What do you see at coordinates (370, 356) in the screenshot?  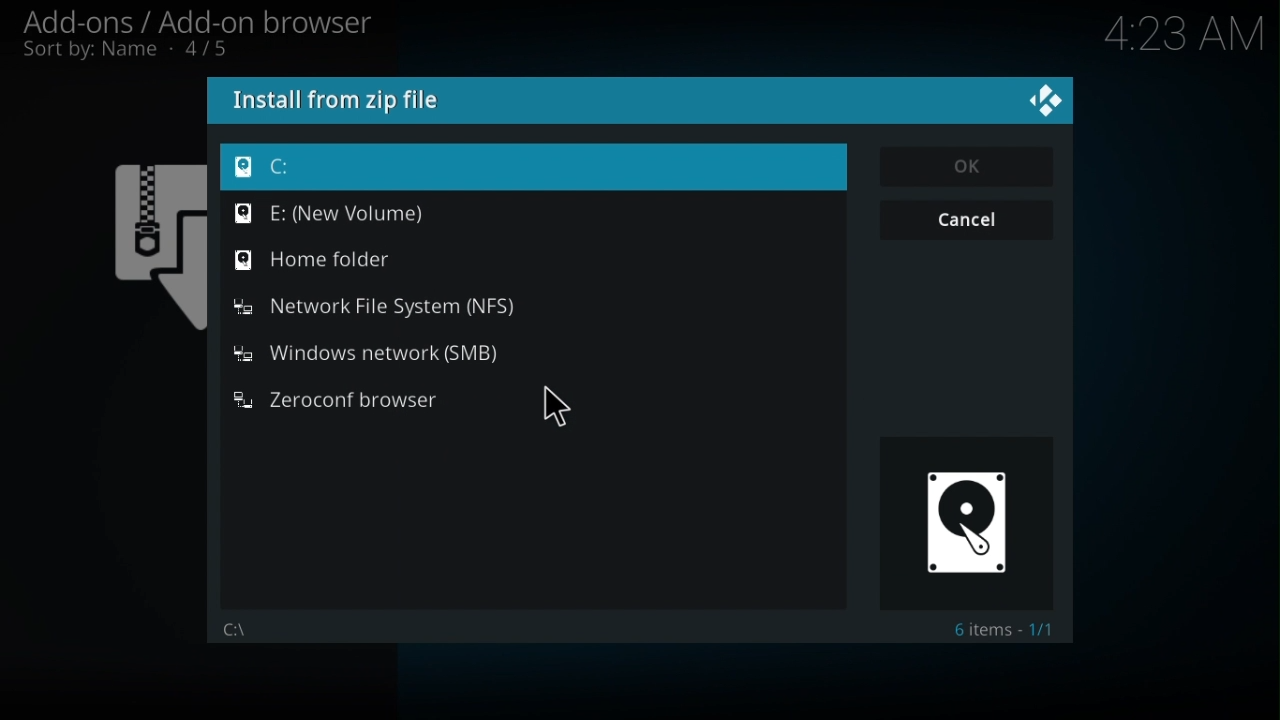 I see `Windows network` at bounding box center [370, 356].